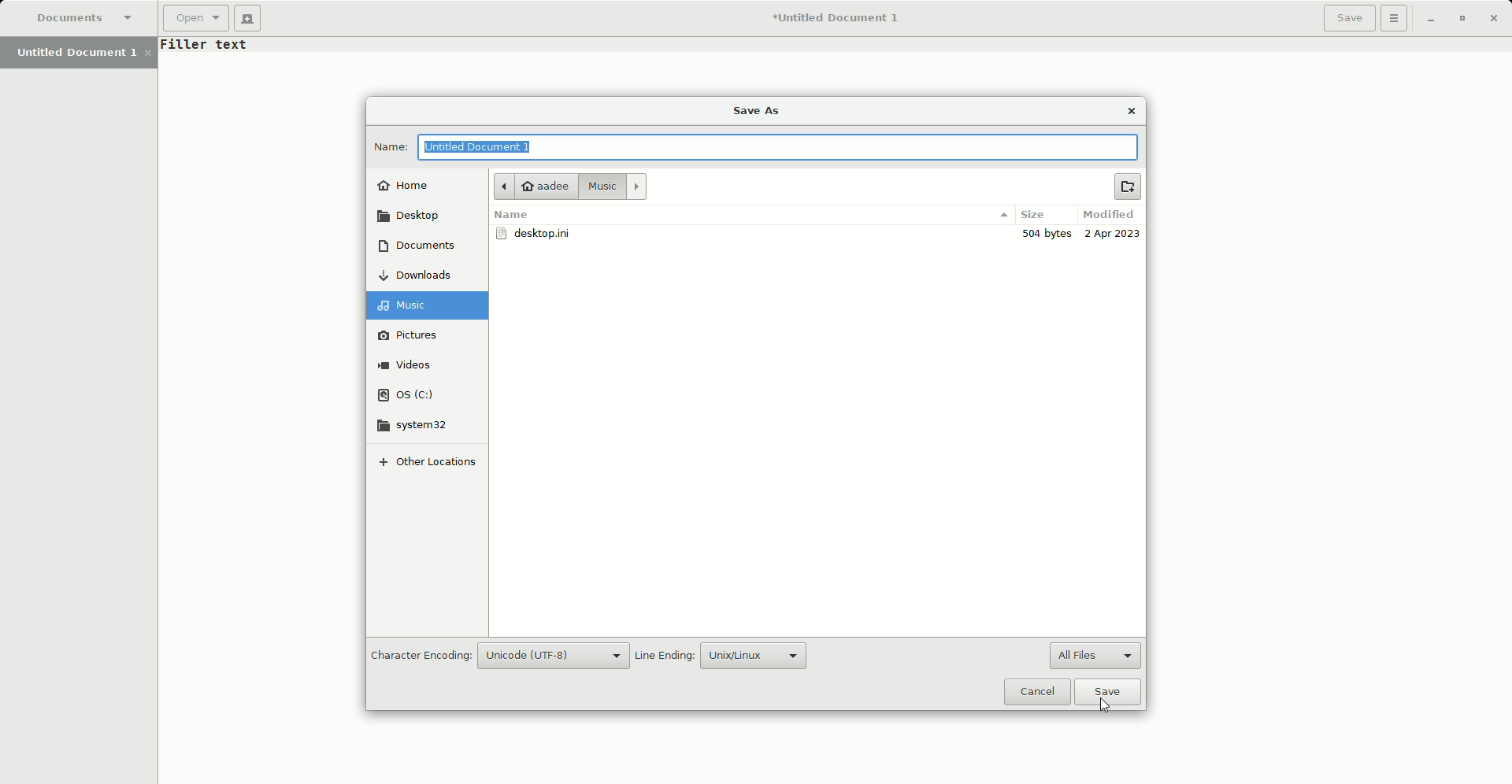 The image size is (1512, 784). I want to click on Untitled Document 1, so click(82, 54).